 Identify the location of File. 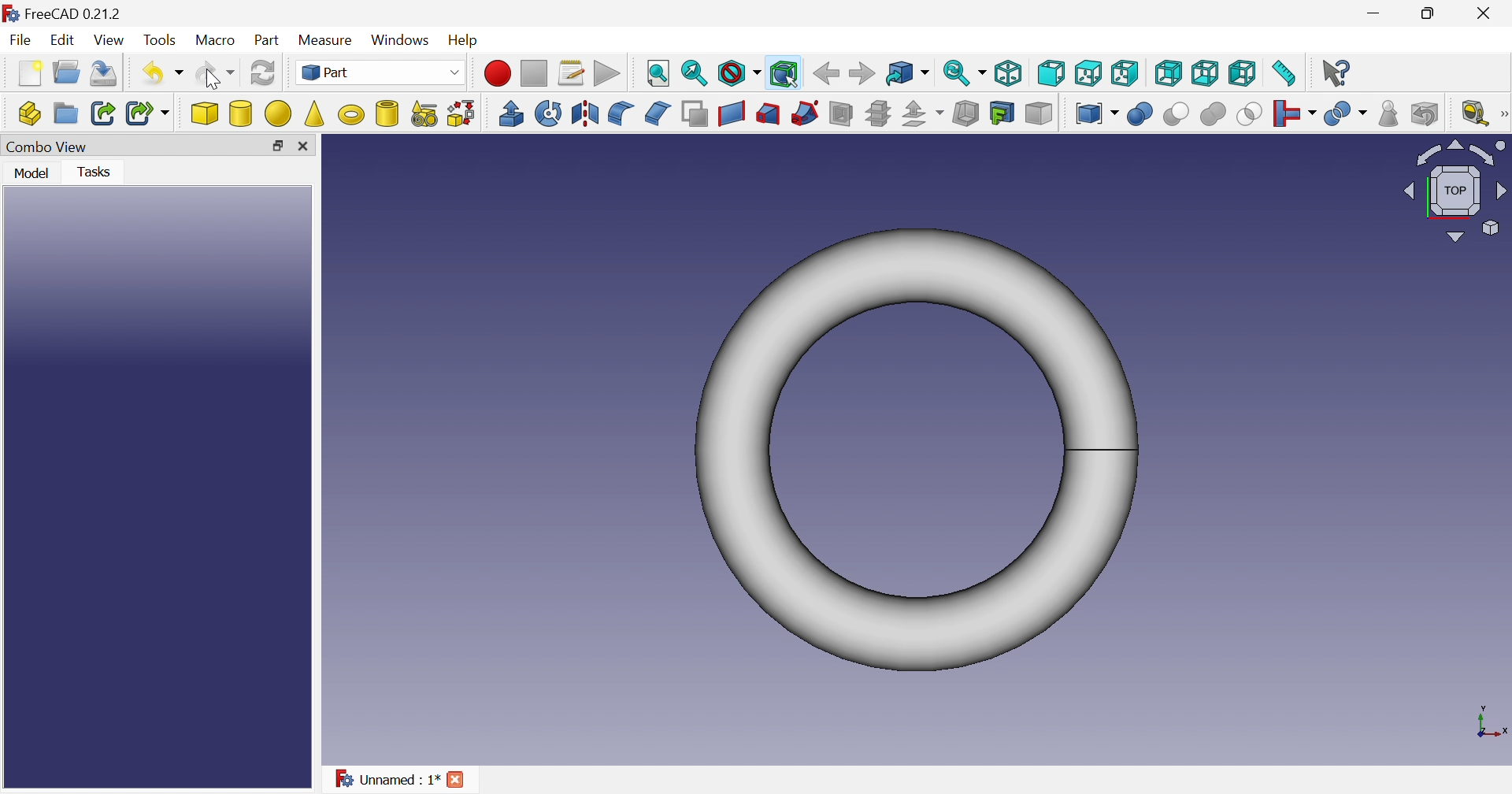
(20, 40).